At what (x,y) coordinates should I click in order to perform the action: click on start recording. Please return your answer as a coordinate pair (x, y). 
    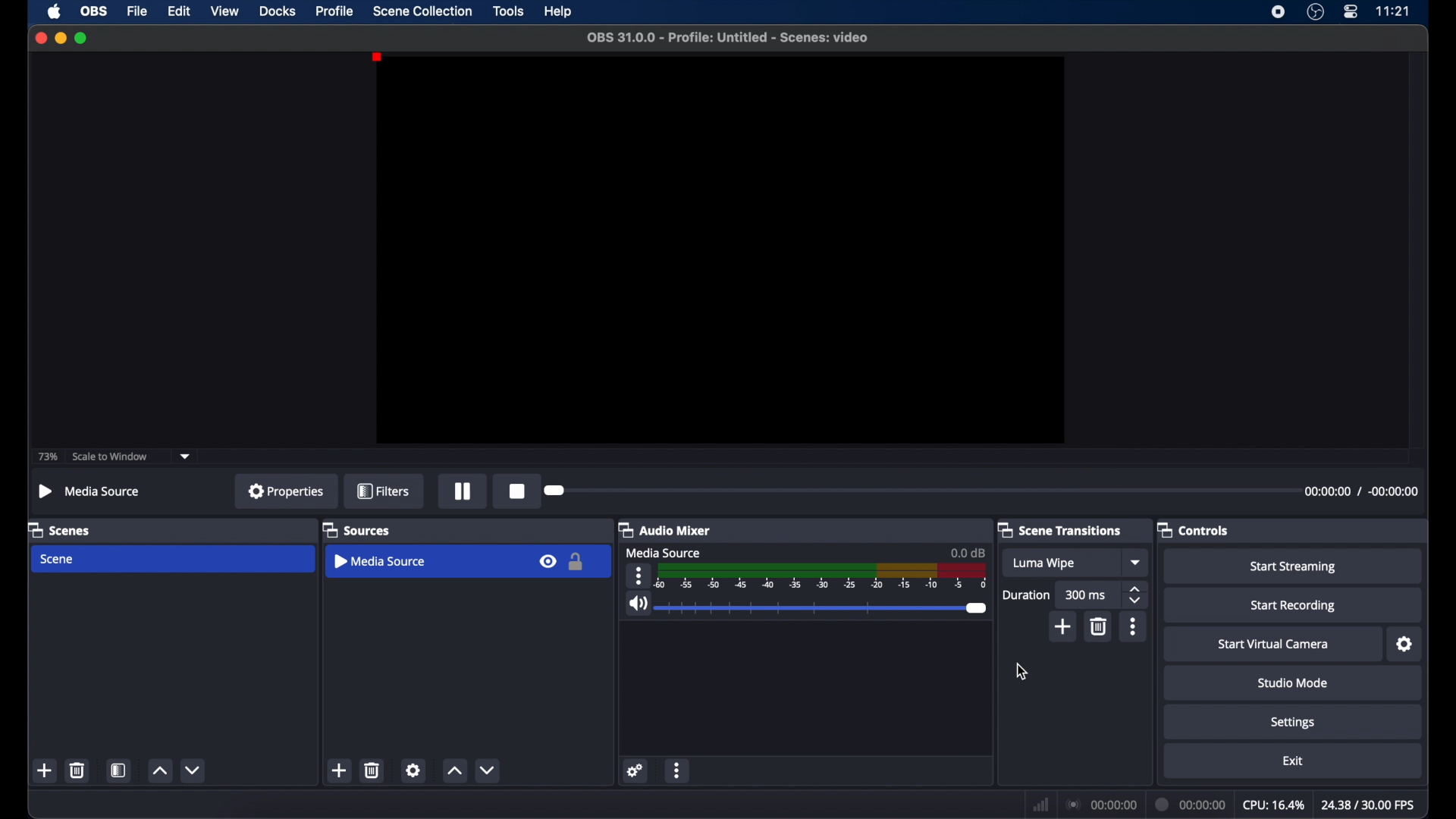
    Looking at the image, I should click on (1294, 606).